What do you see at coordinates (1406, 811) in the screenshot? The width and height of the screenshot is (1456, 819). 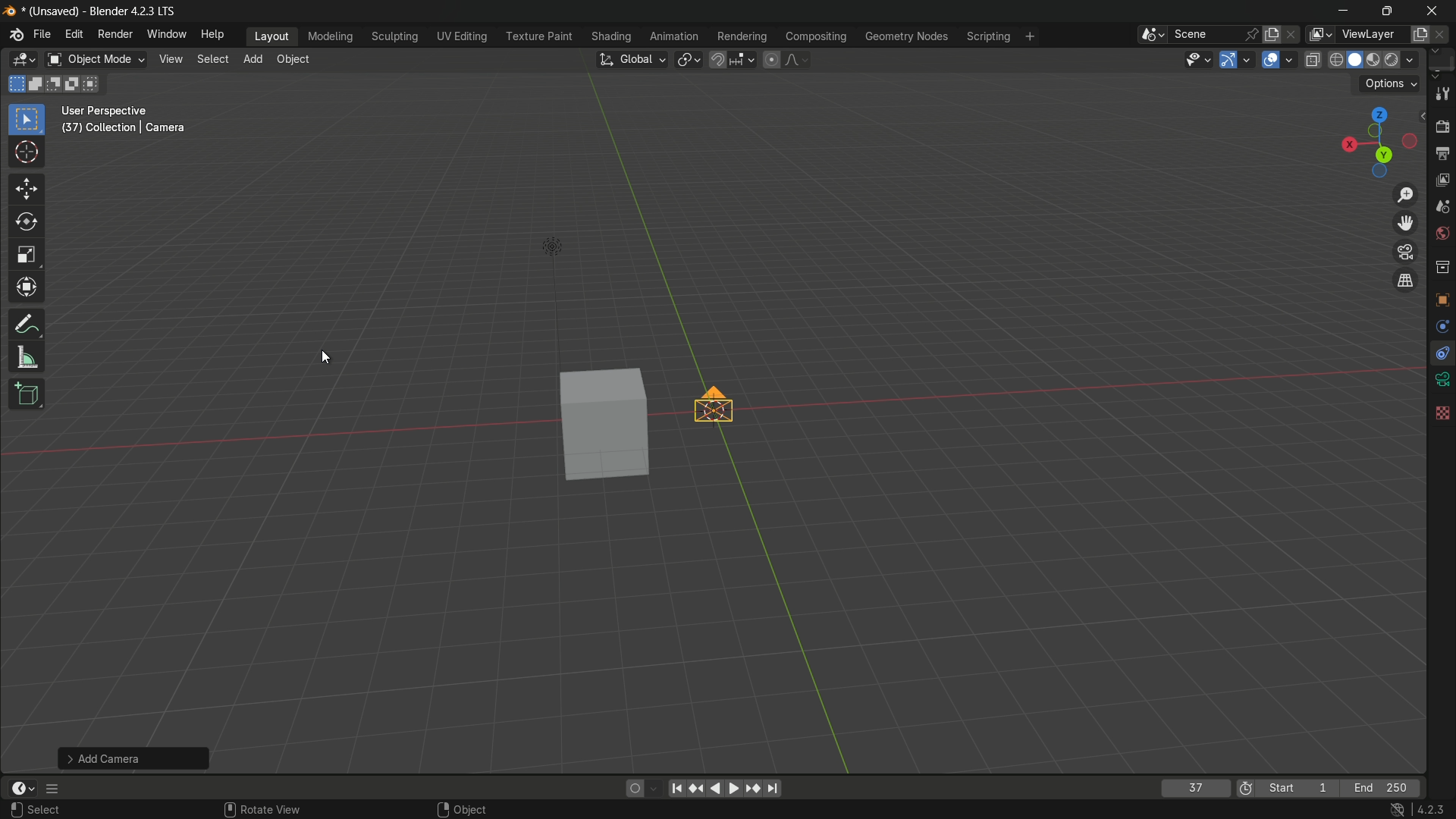 I see `4.2.3` at bounding box center [1406, 811].